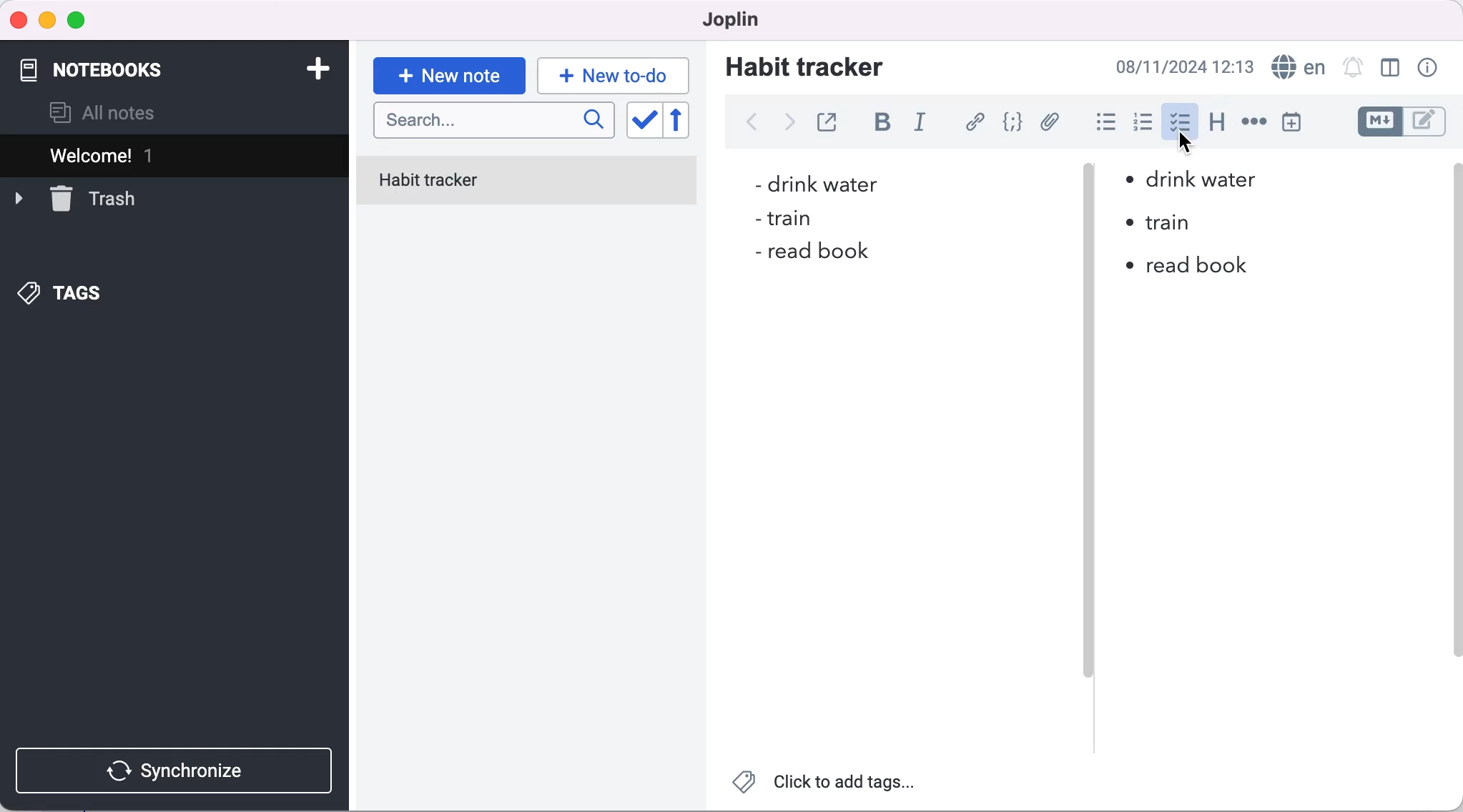  I want to click on new note, so click(448, 76).